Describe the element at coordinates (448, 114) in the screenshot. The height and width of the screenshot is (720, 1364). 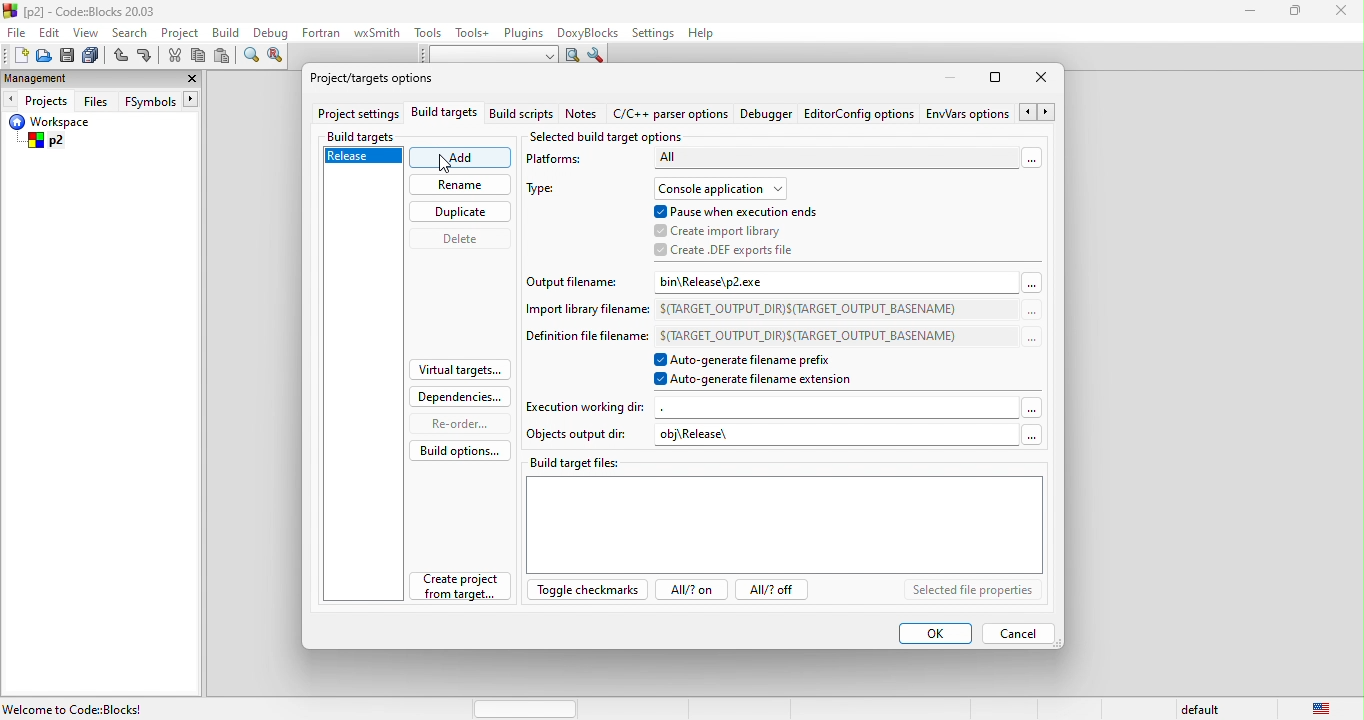
I see `build targets` at that location.